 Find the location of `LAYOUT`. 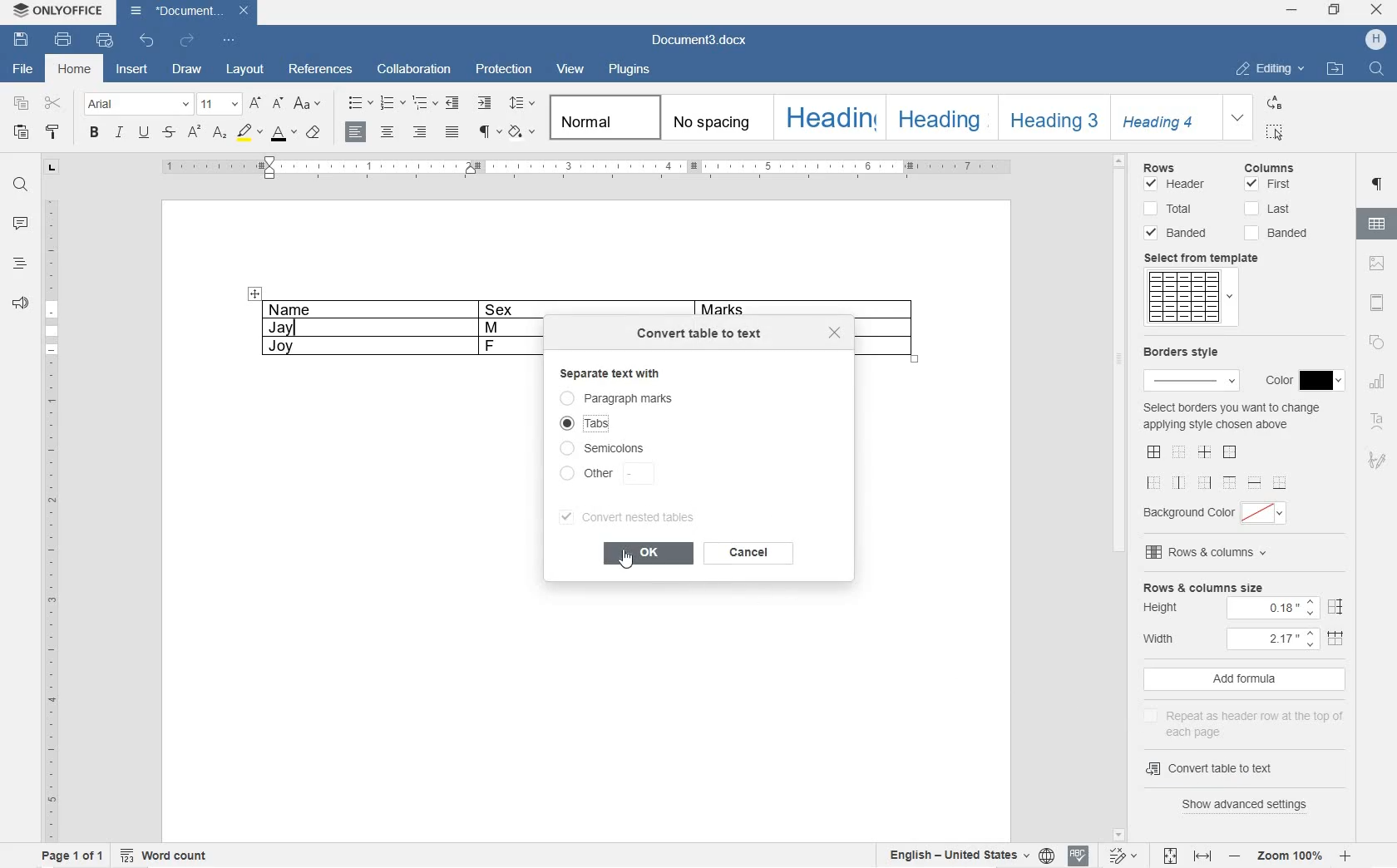

LAYOUT is located at coordinates (243, 70).